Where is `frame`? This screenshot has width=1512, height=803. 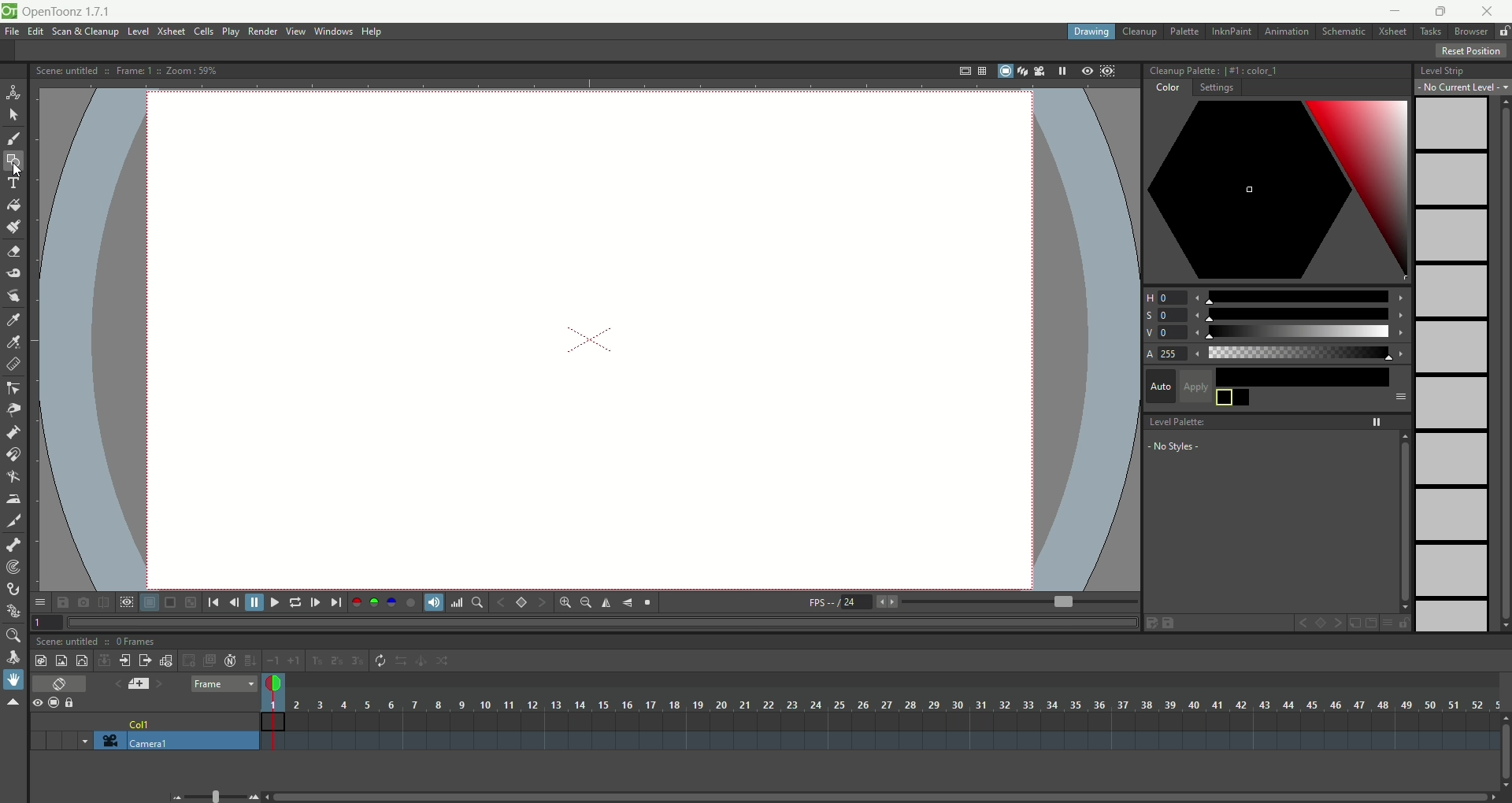
frame is located at coordinates (224, 685).